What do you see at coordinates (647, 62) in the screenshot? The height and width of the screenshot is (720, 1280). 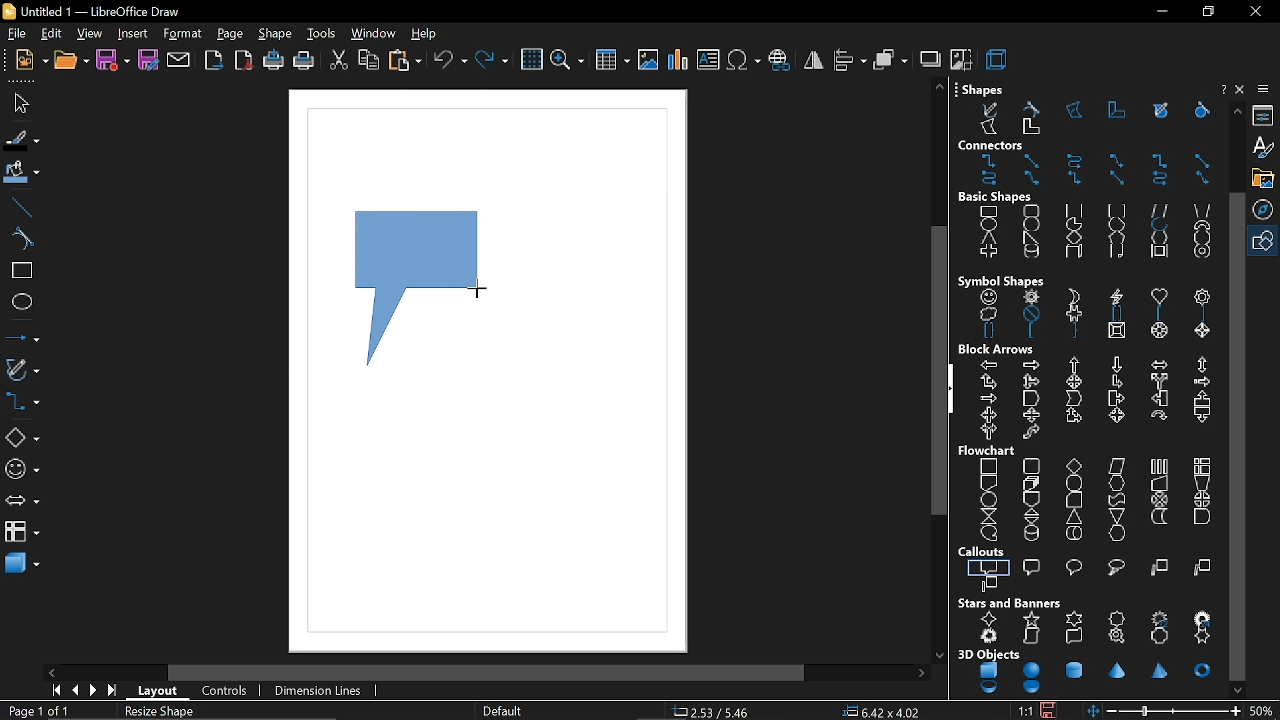 I see `insert image` at bounding box center [647, 62].